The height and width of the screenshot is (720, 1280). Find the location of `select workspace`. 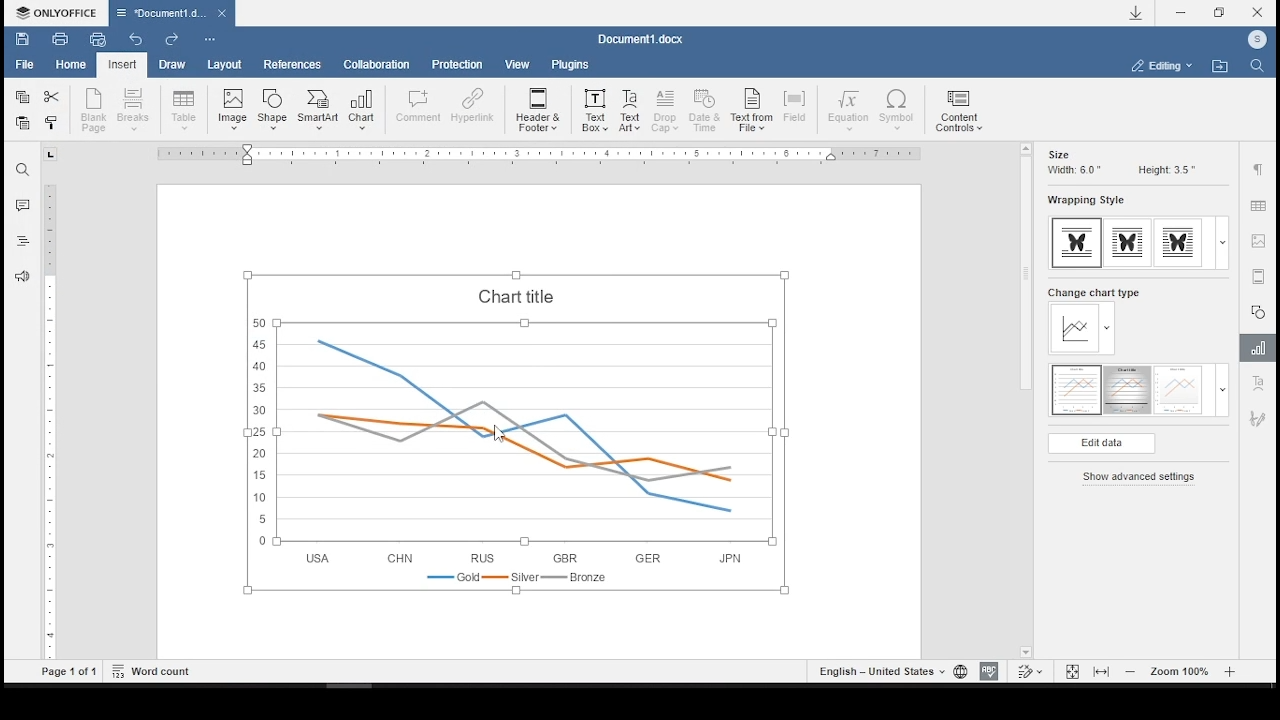

select workspace is located at coordinates (1161, 67).